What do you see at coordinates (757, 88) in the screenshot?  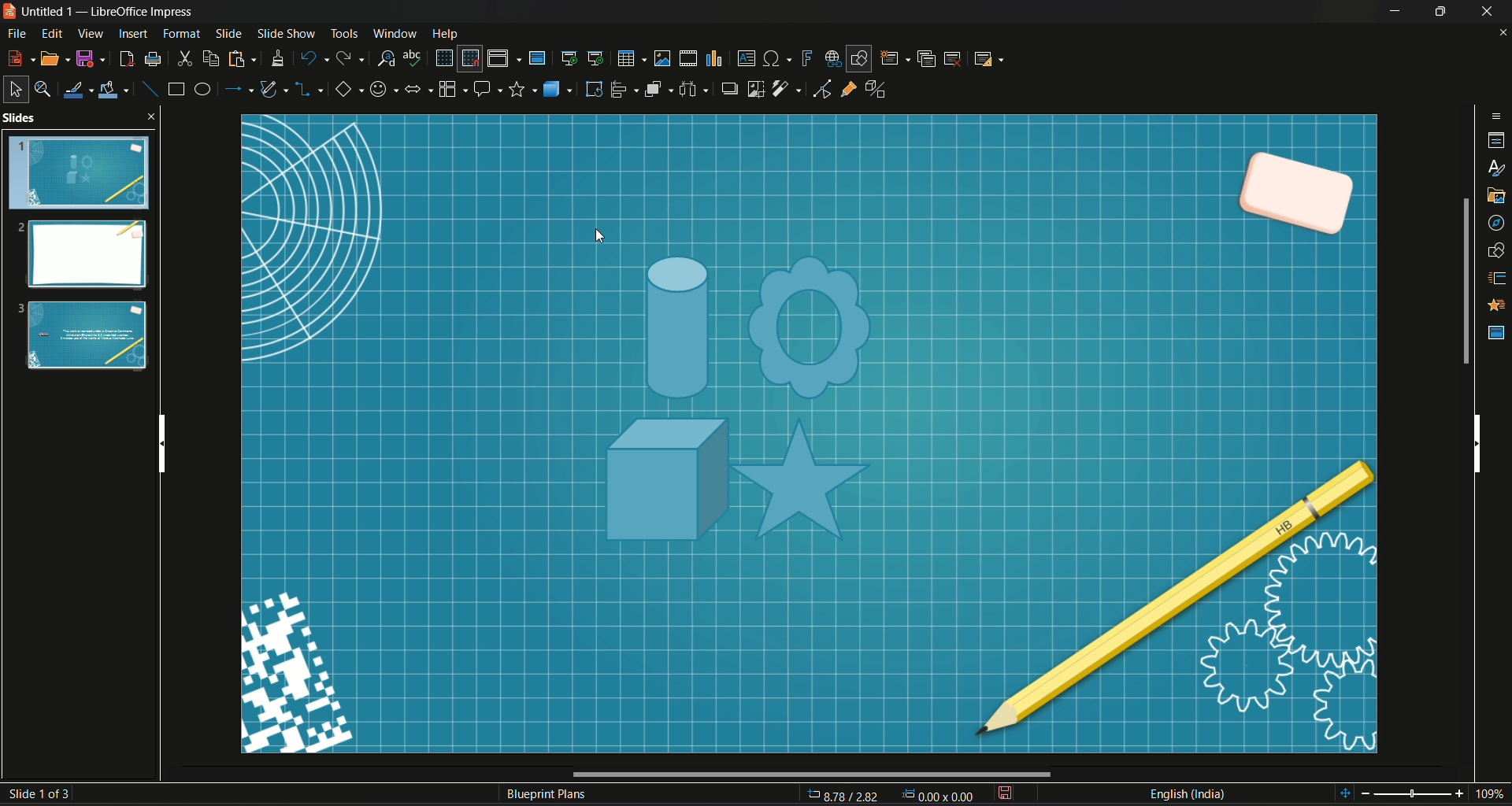 I see `crop image` at bounding box center [757, 88].